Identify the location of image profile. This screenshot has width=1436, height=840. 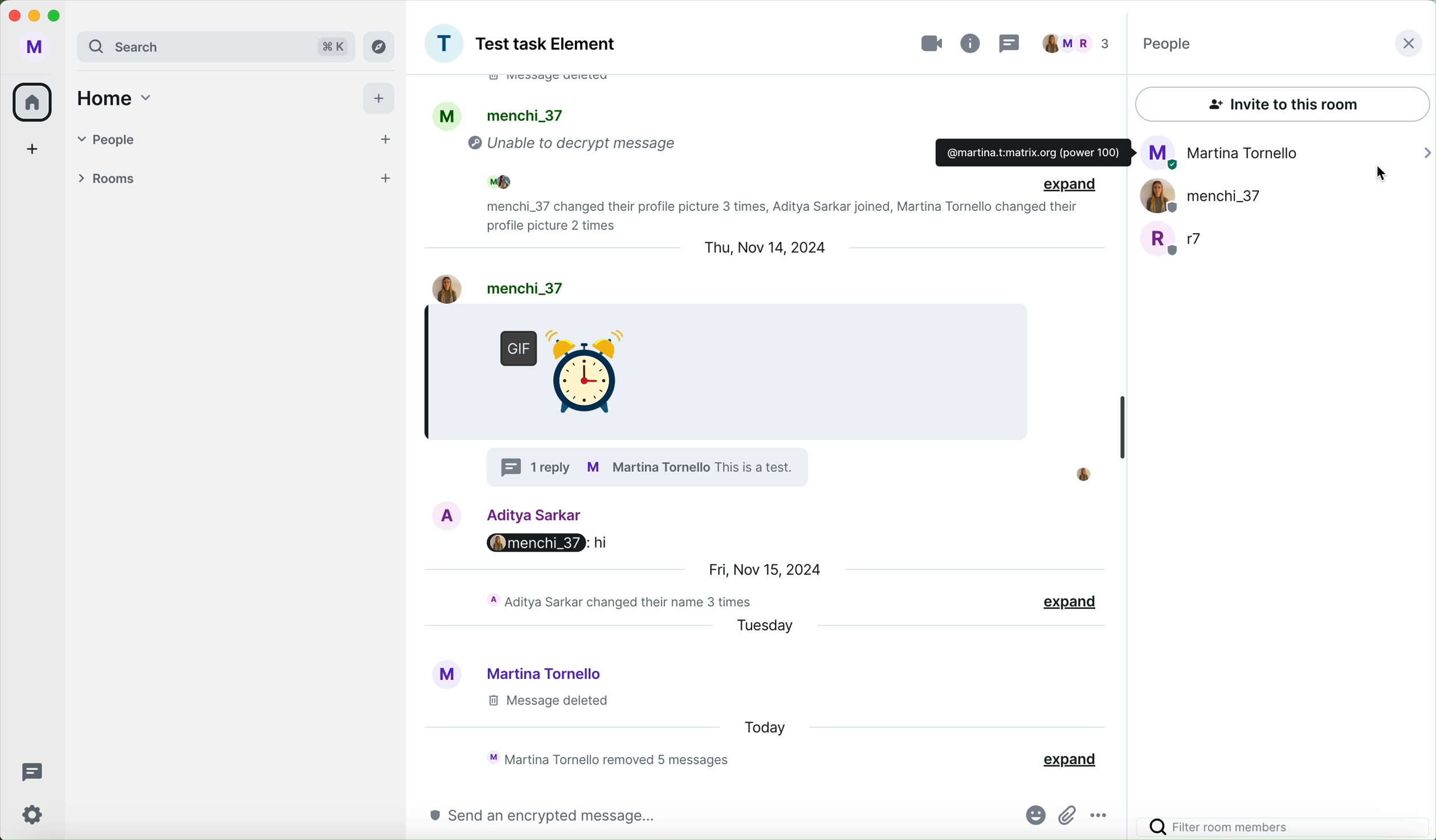
(448, 515).